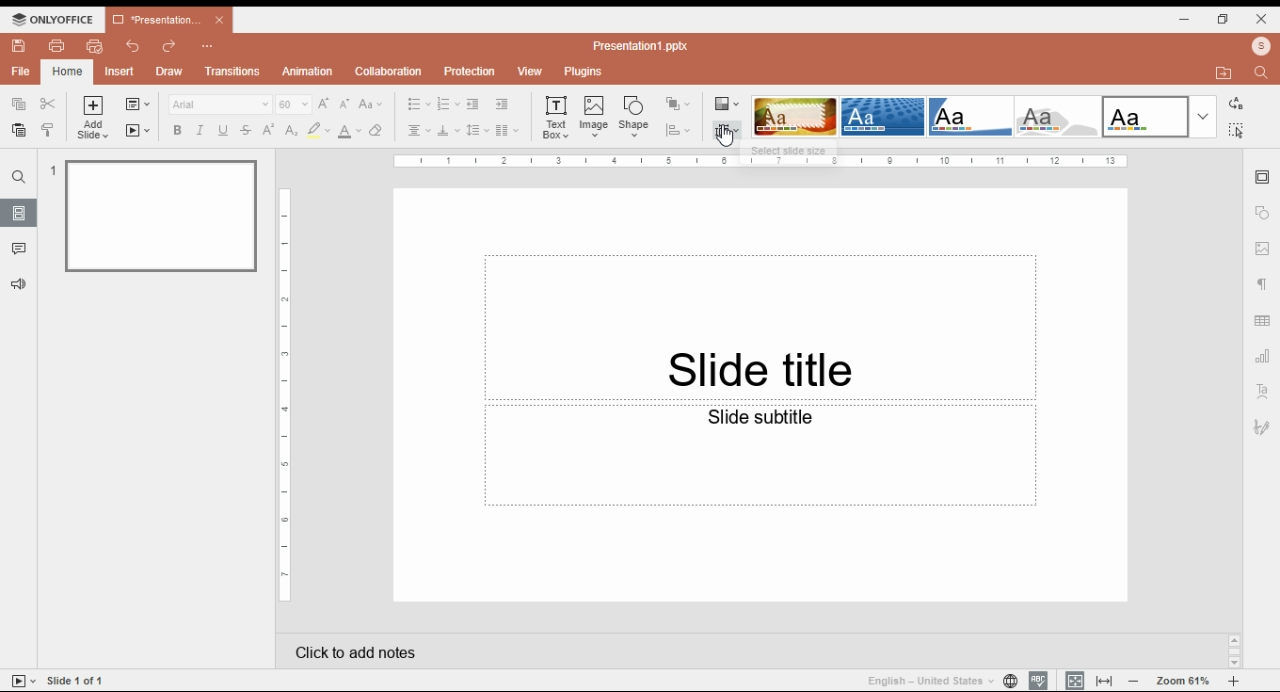  I want to click on change slide size, so click(727, 130).